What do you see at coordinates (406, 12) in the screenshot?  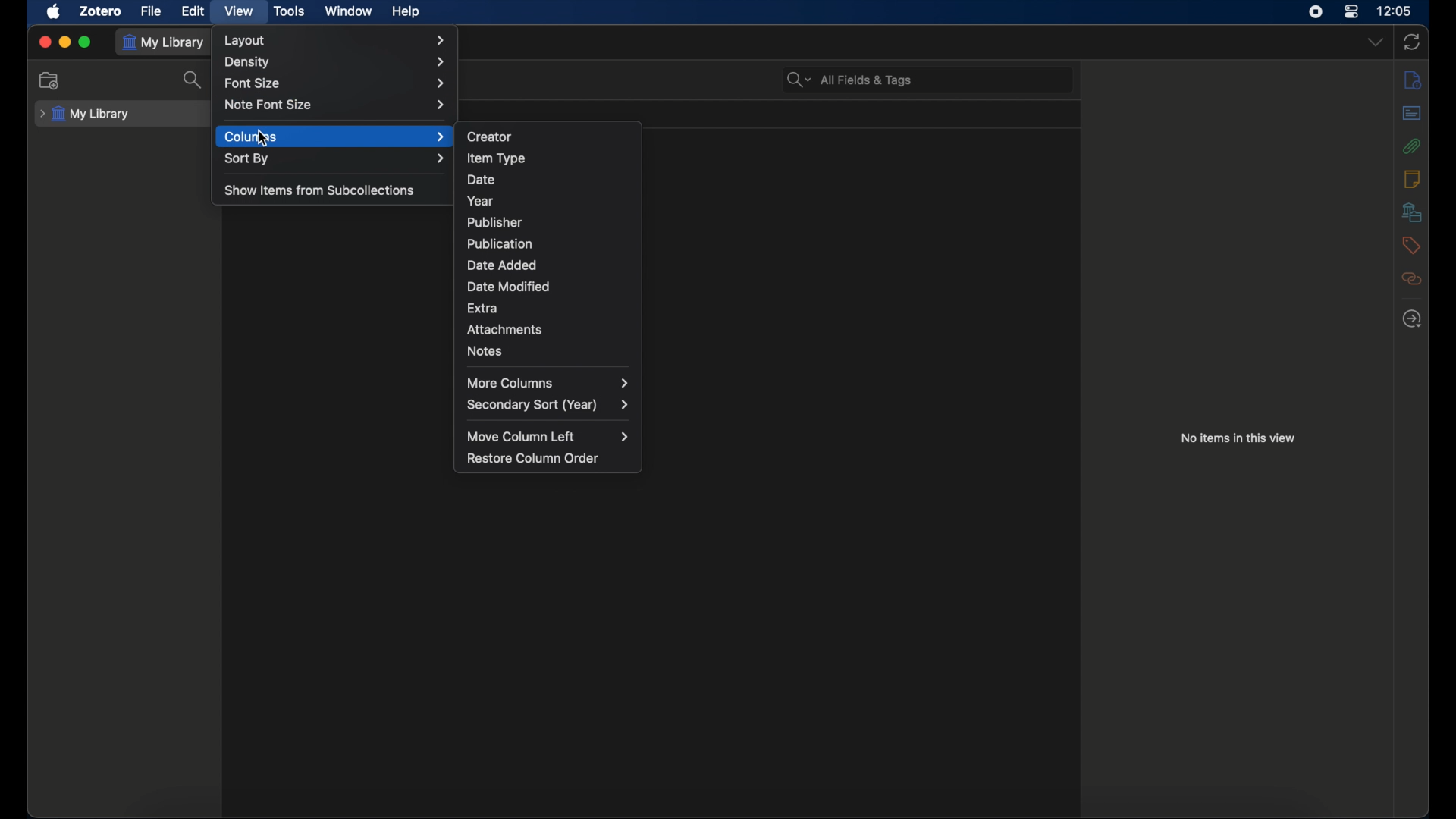 I see `help` at bounding box center [406, 12].